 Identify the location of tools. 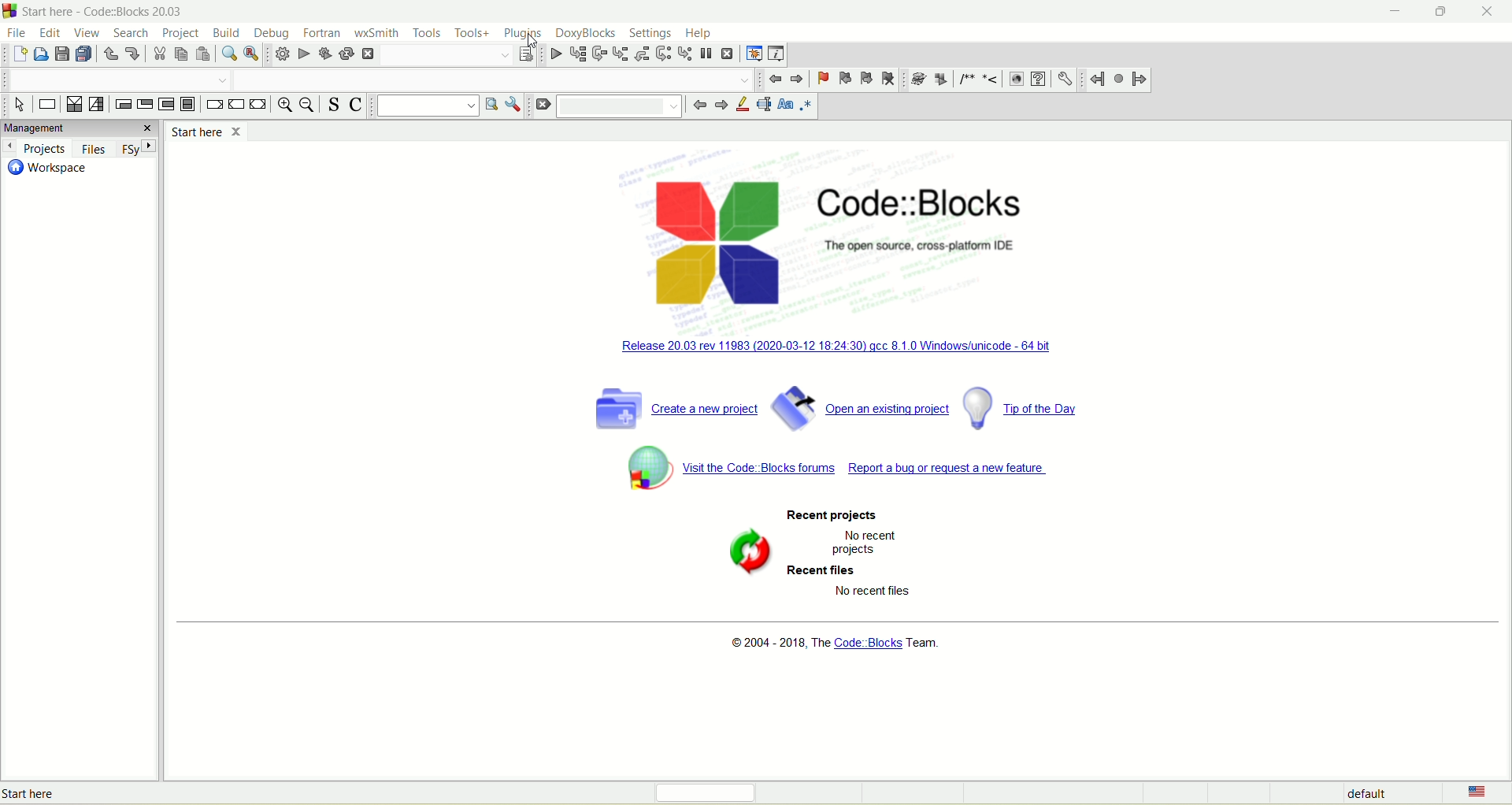
(430, 32).